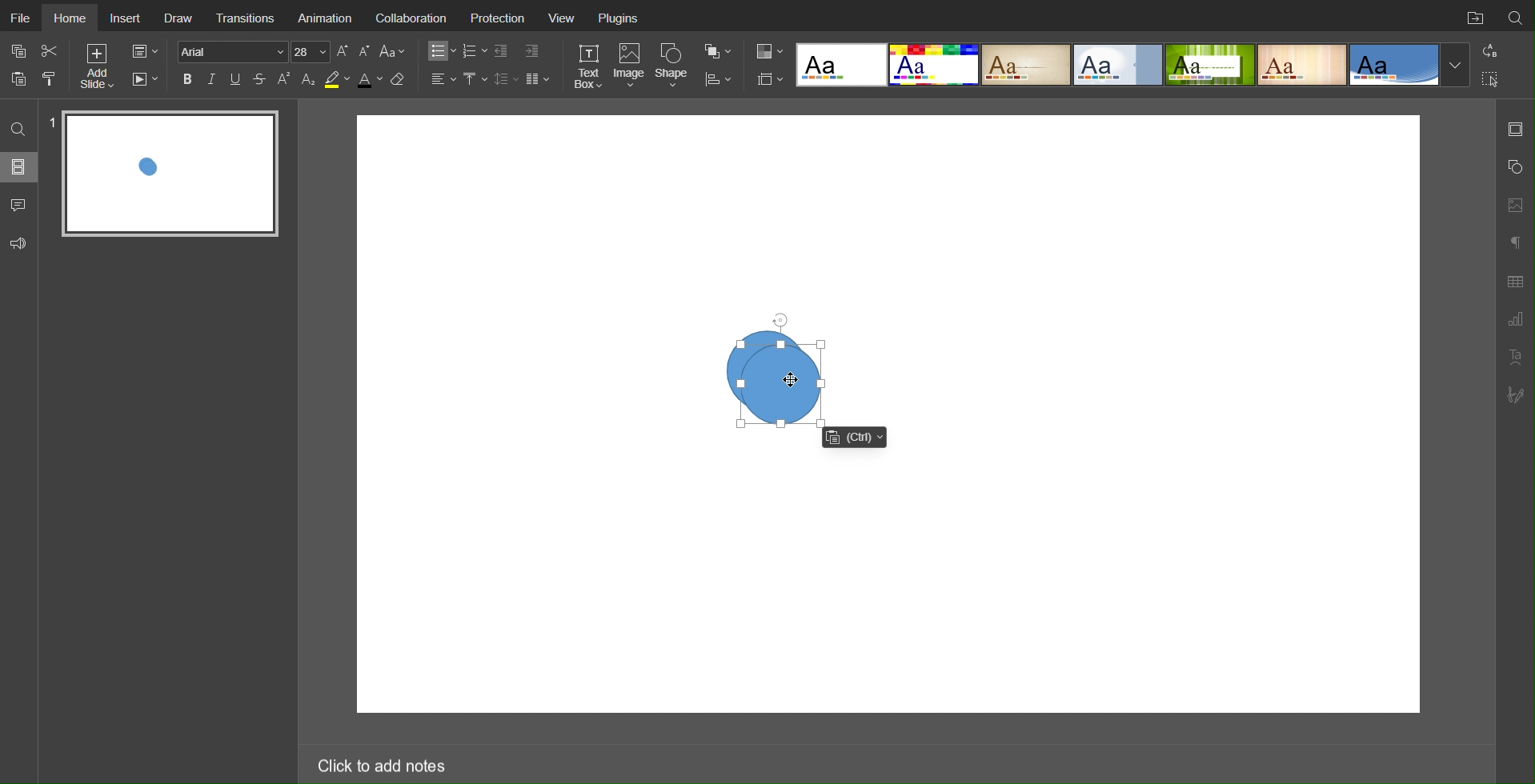  Describe the element at coordinates (96, 69) in the screenshot. I see `Add Slide` at that location.